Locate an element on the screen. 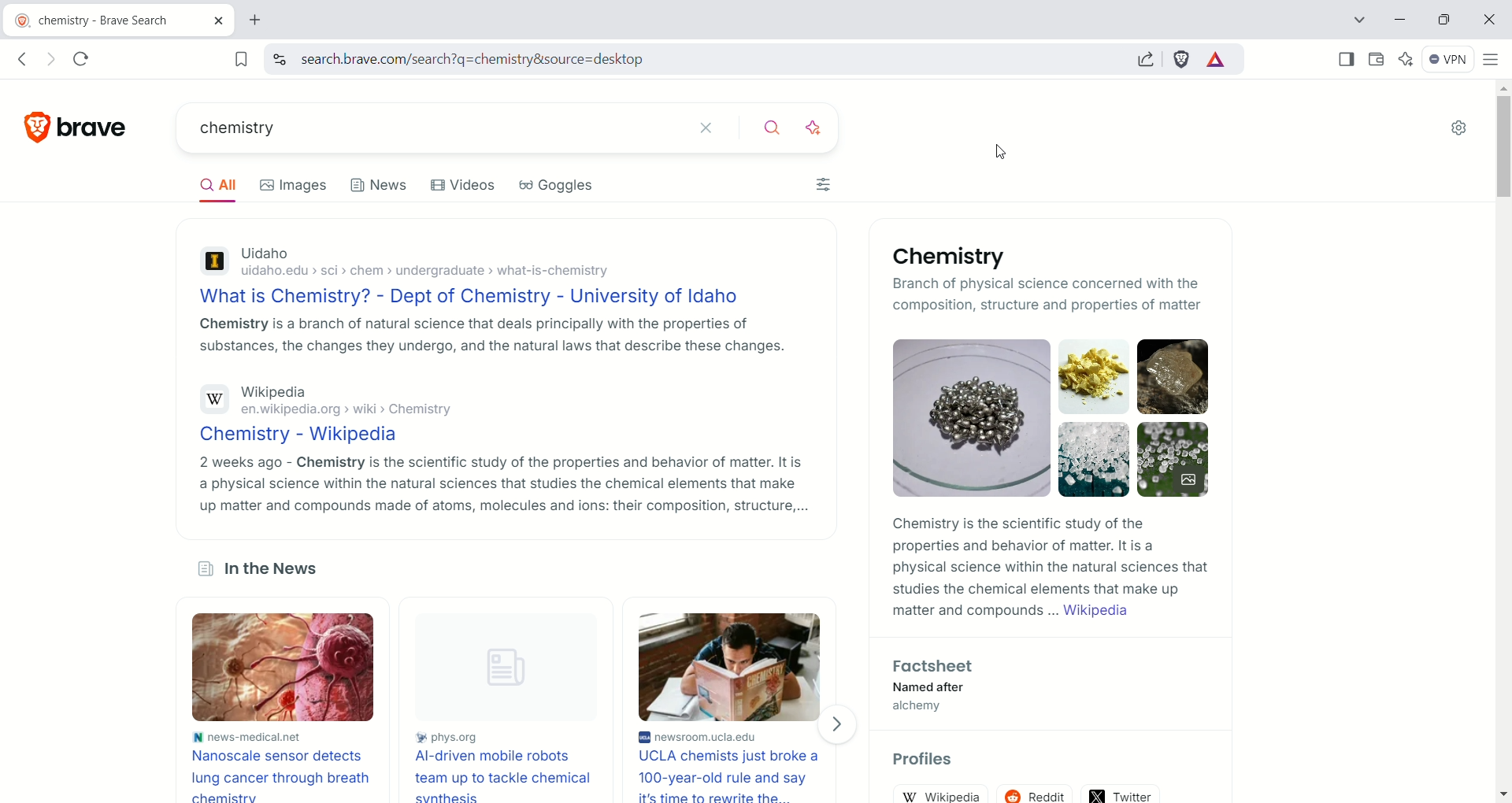 The height and width of the screenshot is (803, 1512). Brave logo is located at coordinates (78, 127).